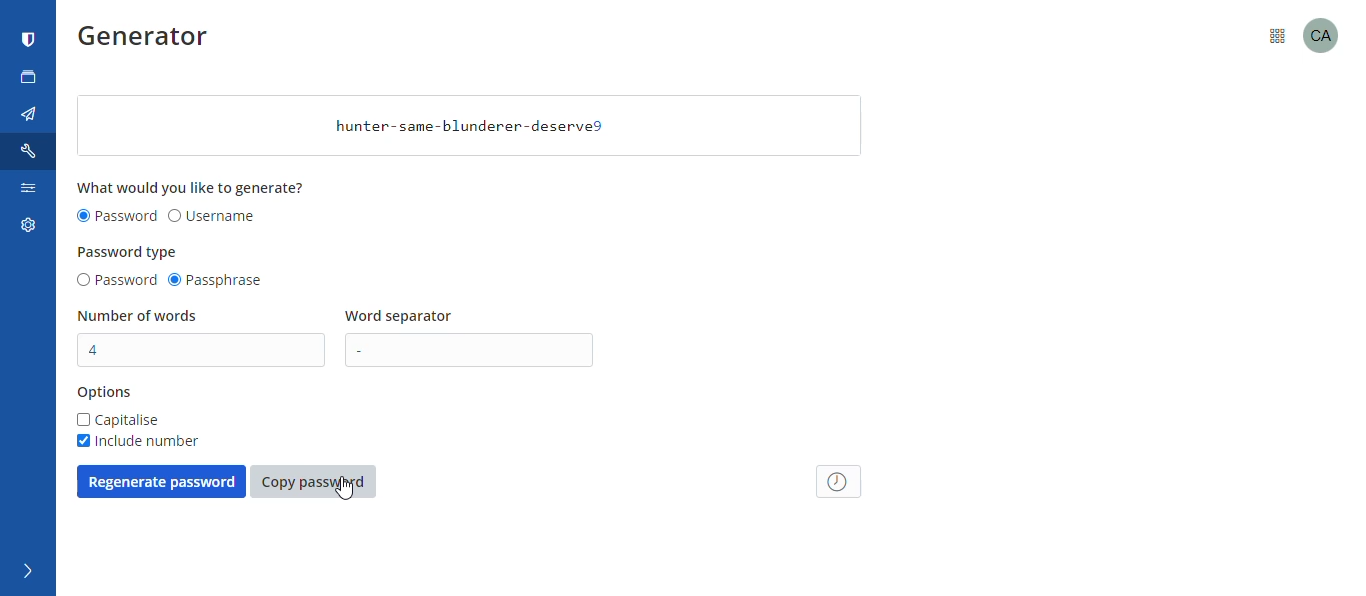  Describe the element at coordinates (345, 488) in the screenshot. I see `cursor` at that location.